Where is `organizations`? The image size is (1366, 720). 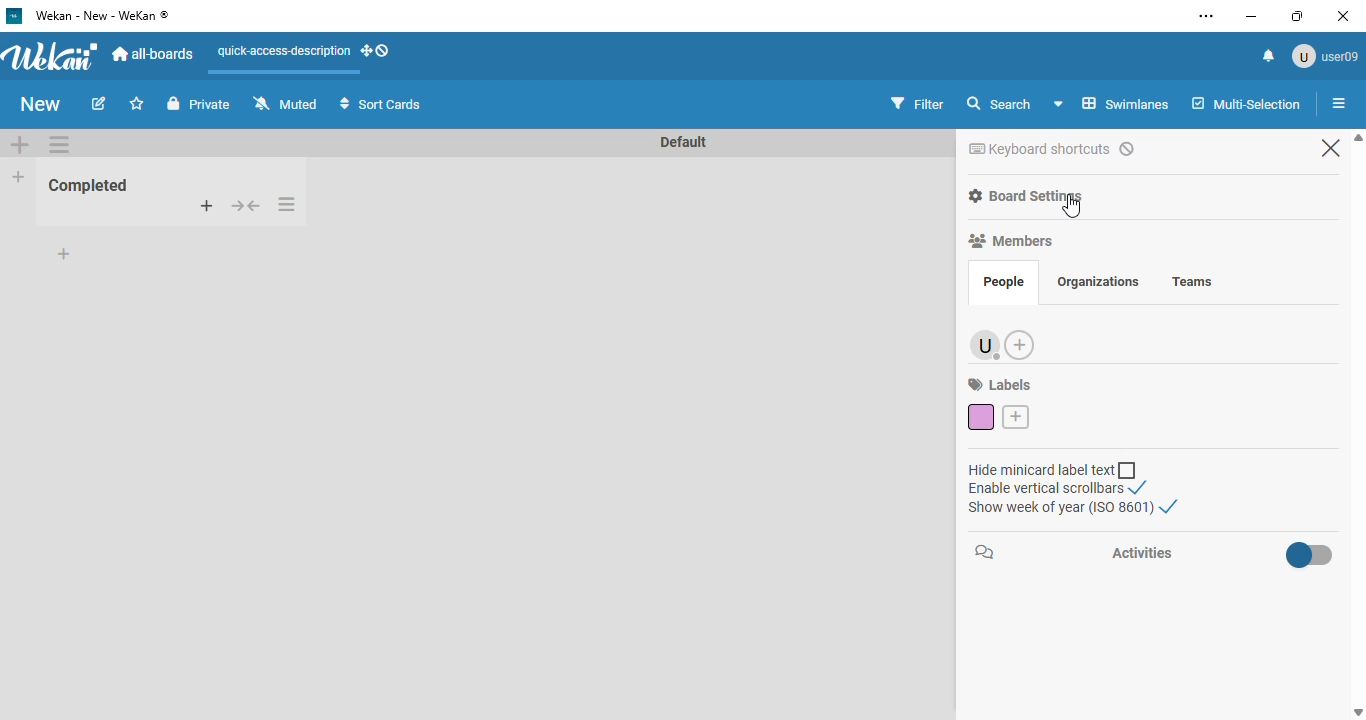 organizations is located at coordinates (1097, 281).